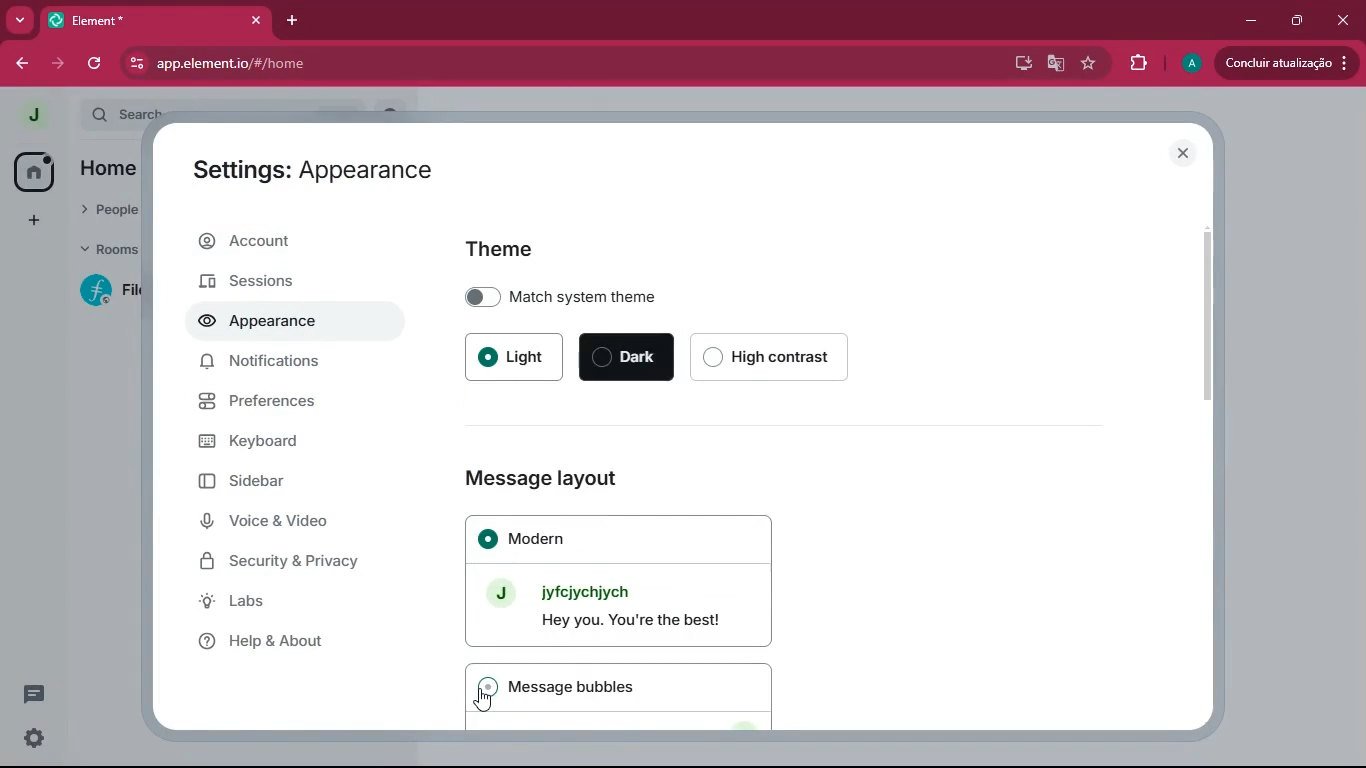 The image size is (1366, 768). What do you see at coordinates (396, 64) in the screenshot?
I see `app.elementio/#/home` at bounding box center [396, 64].